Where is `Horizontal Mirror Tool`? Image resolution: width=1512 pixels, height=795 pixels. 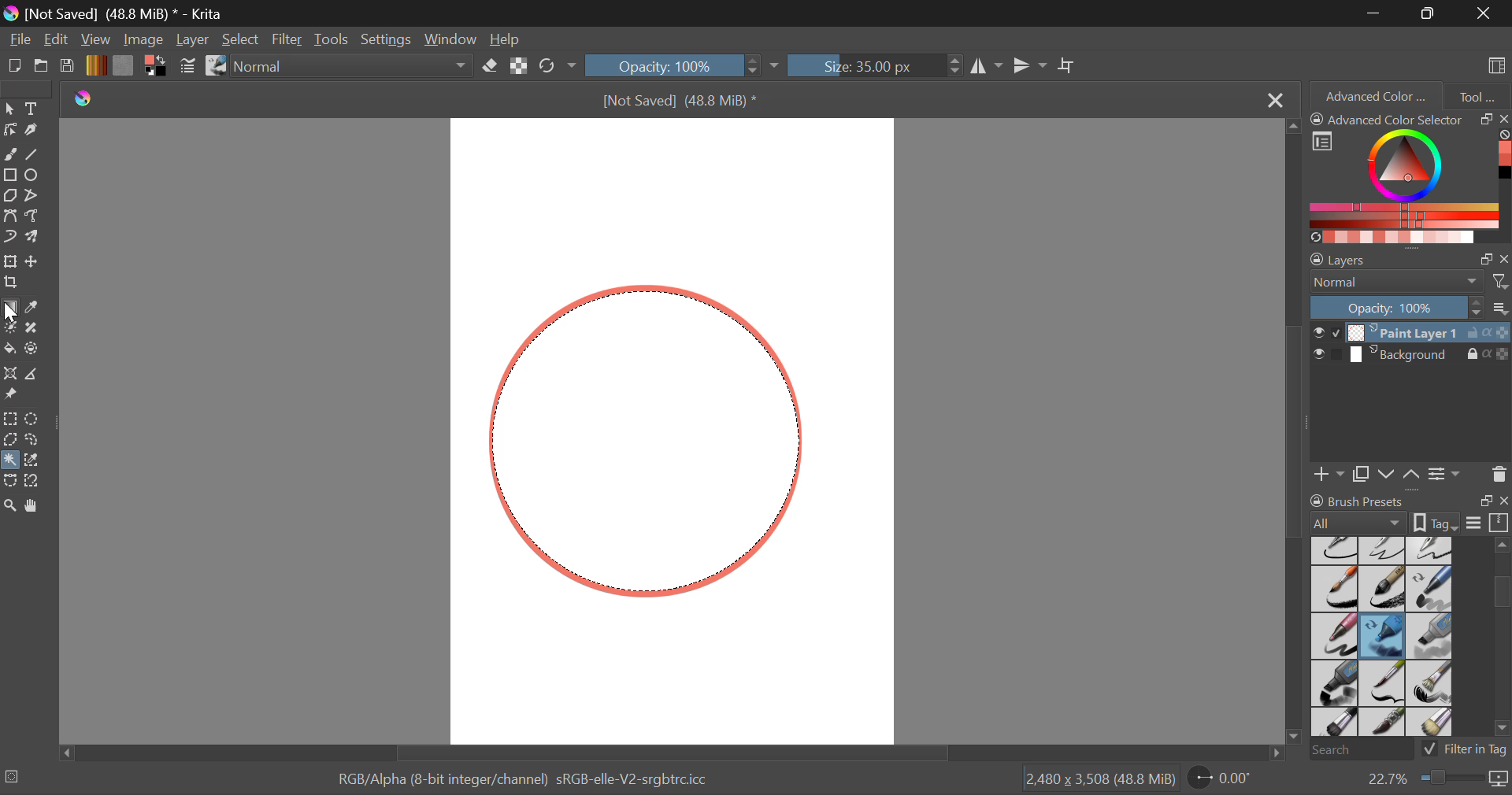 Horizontal Mirror Tool is located at coordinates (986, 65).